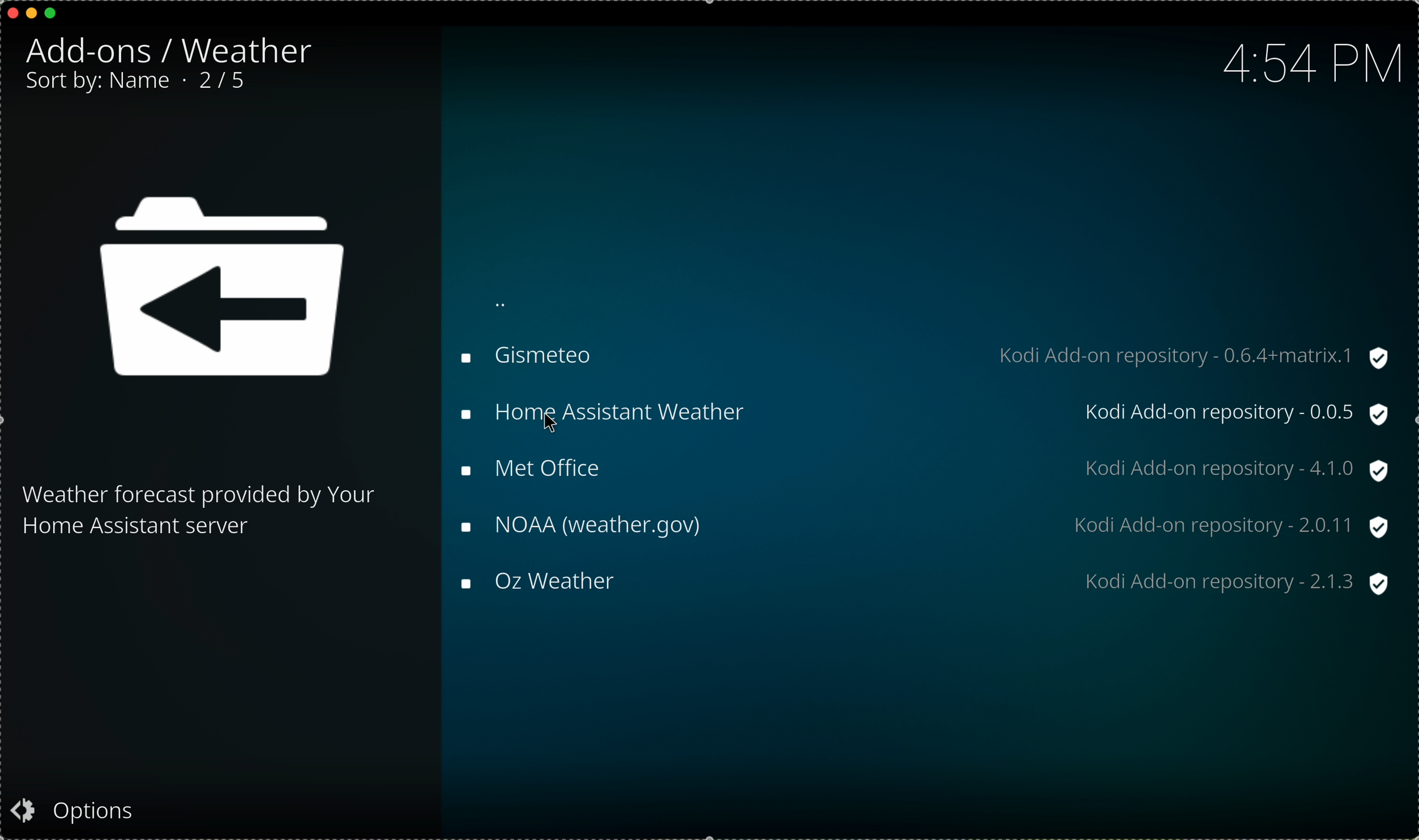 The height and width of the screenshot is (840, 1419). What do you see at coordinates (927, 468) in the screenshot?
I see `met office` at bounding box center [927, 468].